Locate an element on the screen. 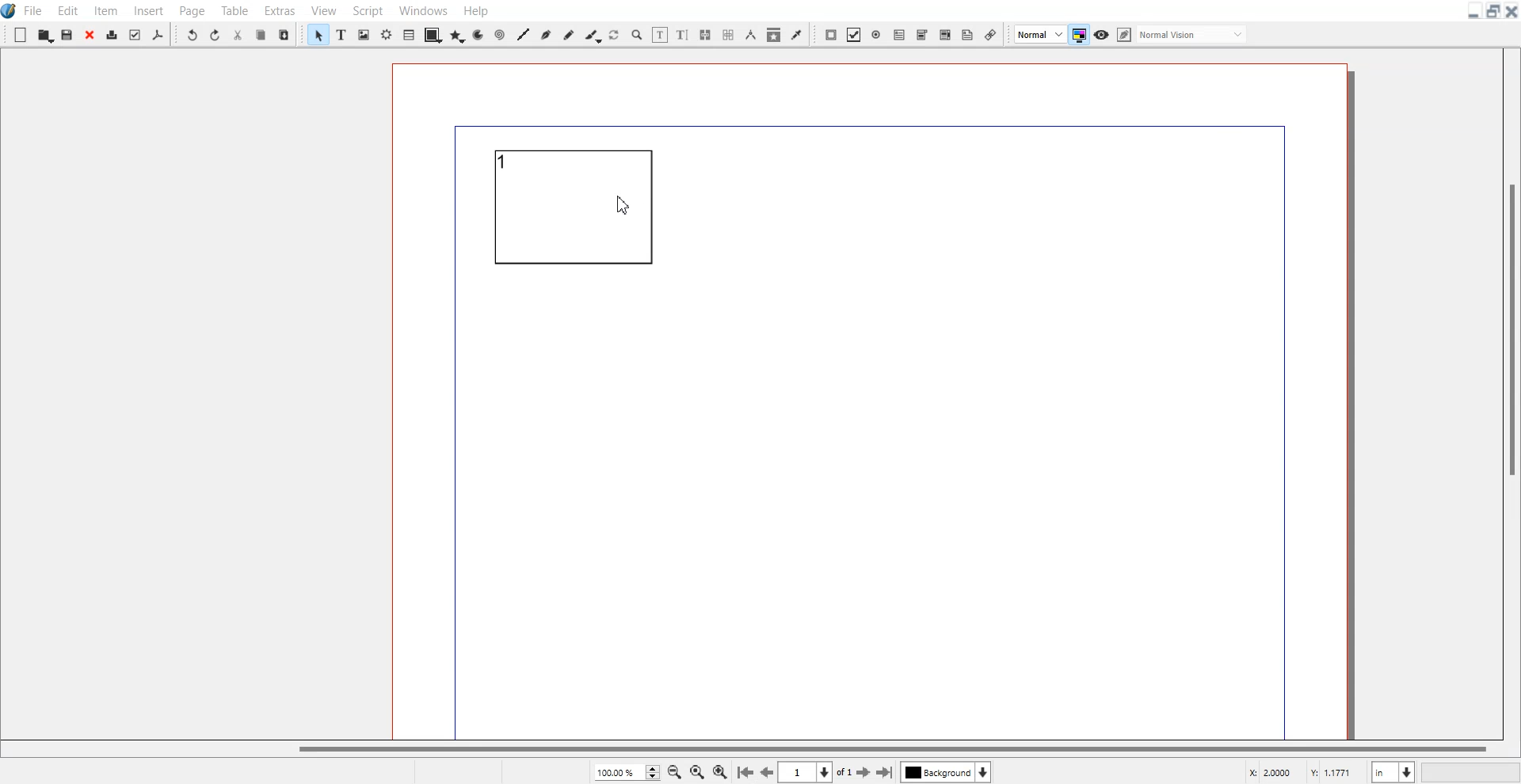 Image resolution: width=1521 pixels, height=784 pixels. Calligraphic line is located at coordinates (592, 35).